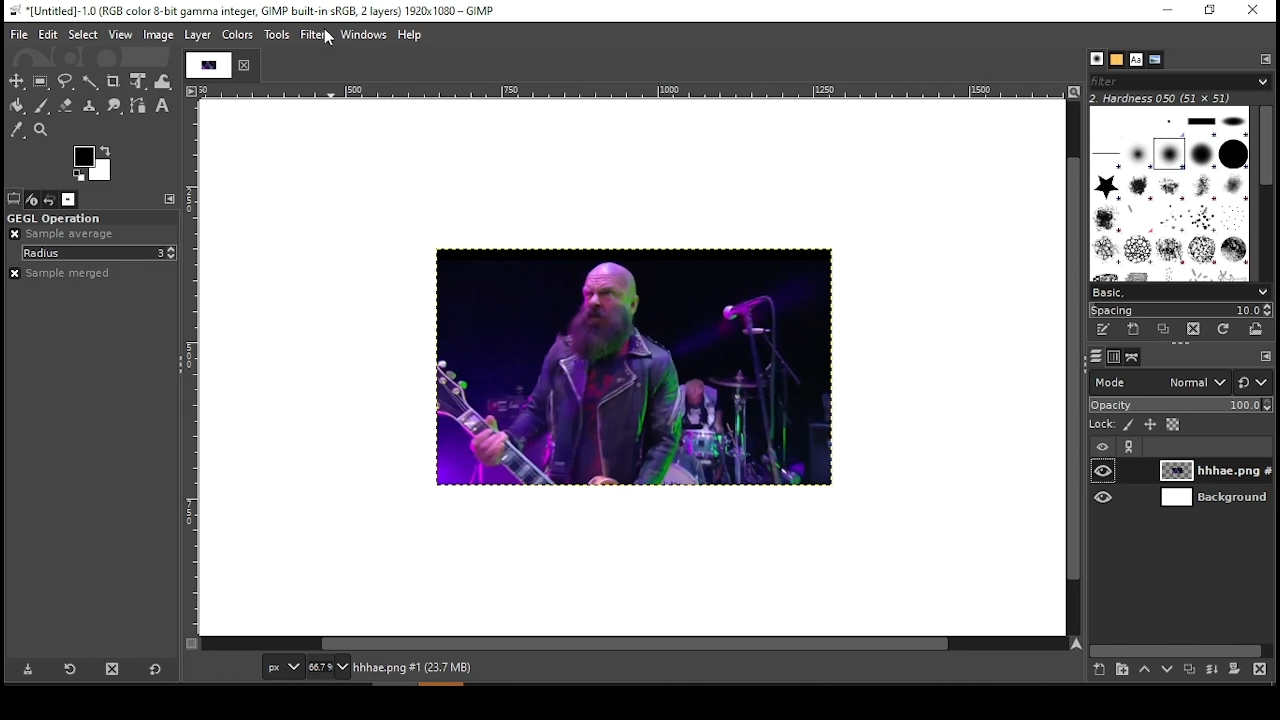 The height and width of the screenshot is (720, 1280). Describe the element at coordinates (1120, 670) in the screenshot. I see `new layer group` at that location.